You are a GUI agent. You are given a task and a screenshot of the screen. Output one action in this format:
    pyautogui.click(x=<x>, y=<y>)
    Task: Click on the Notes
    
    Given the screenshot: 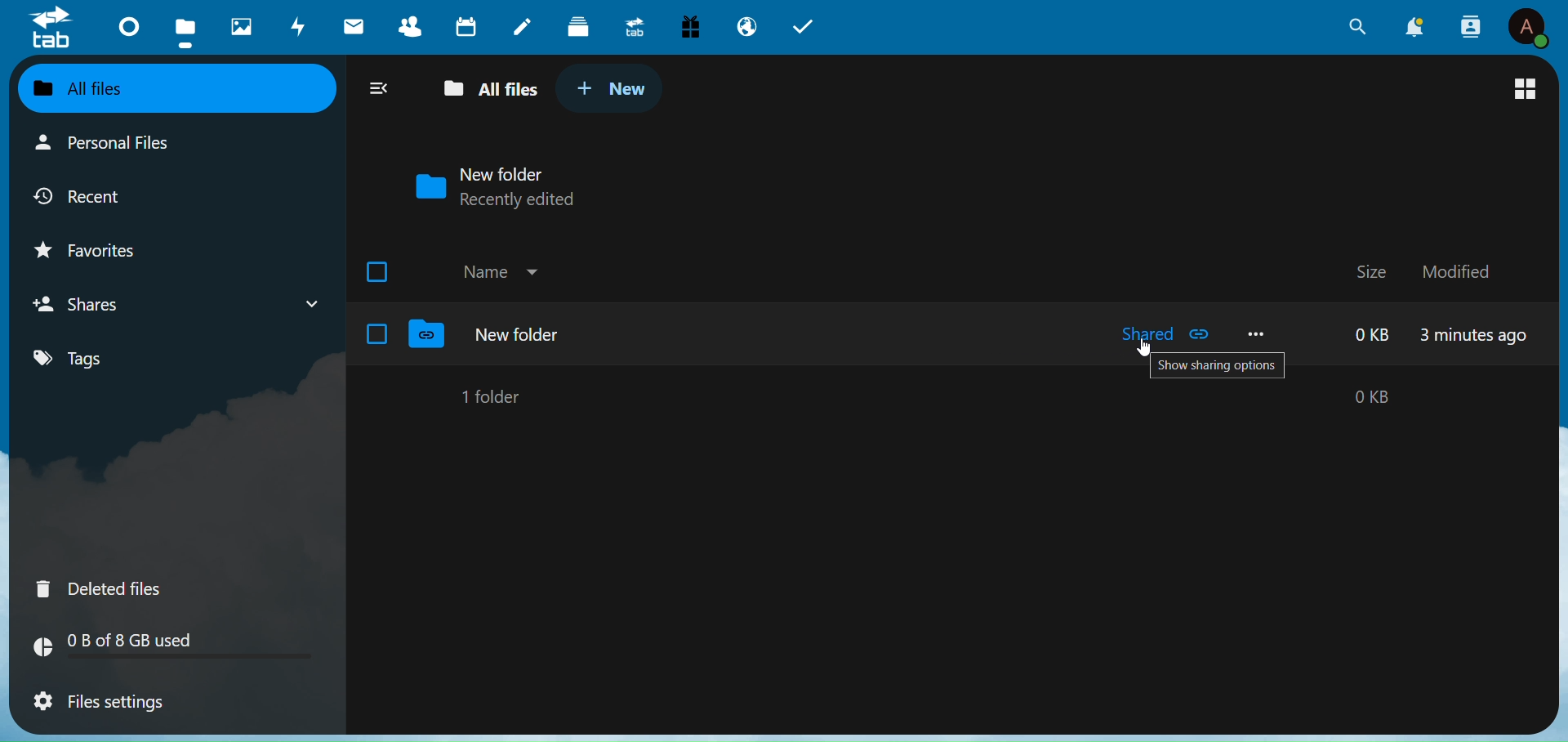 What is the action you would take?
    pyautogui.click(x=520, y=23)
    